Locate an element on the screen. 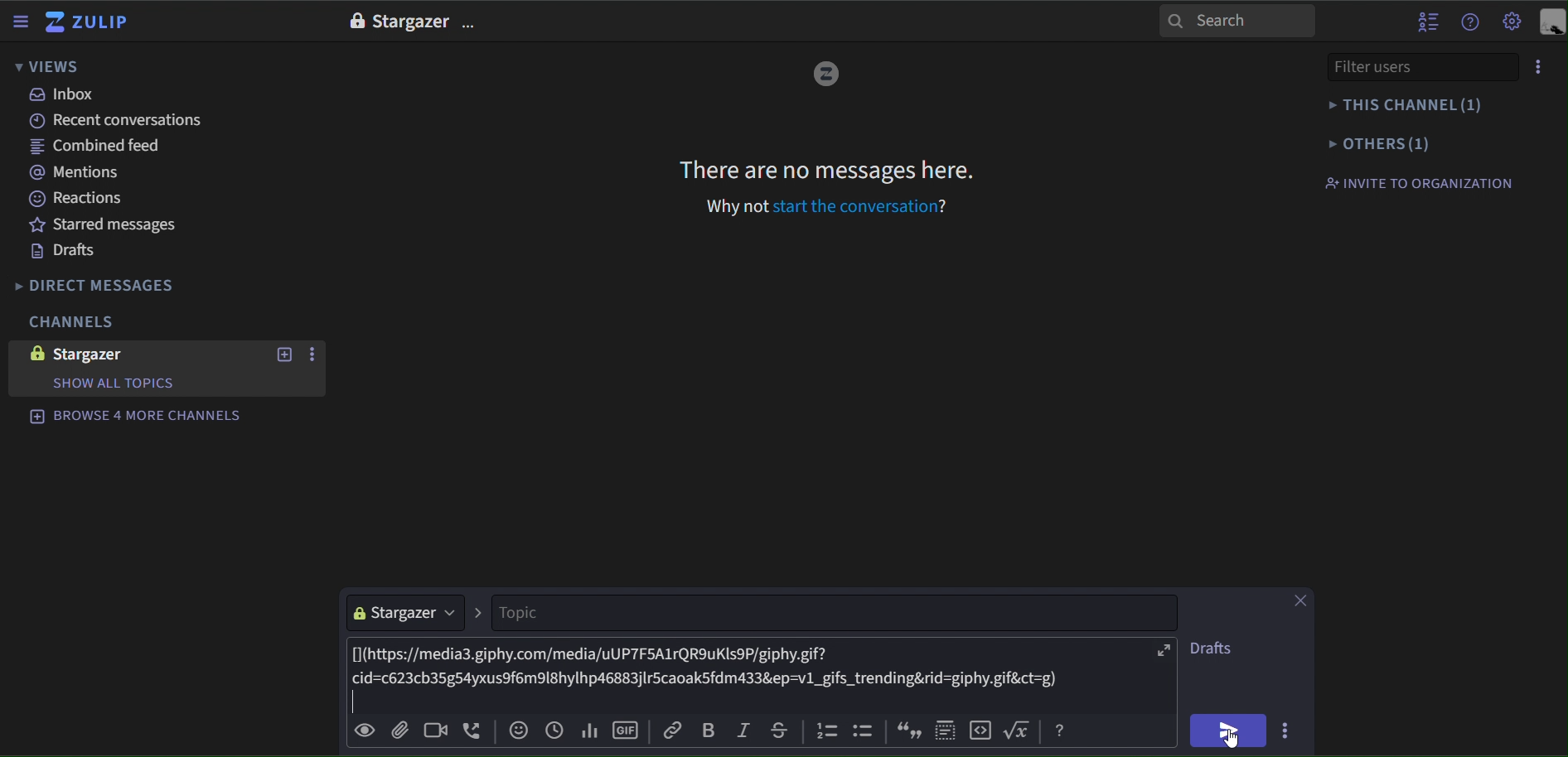  add global time is located at coordinates (554, 730).